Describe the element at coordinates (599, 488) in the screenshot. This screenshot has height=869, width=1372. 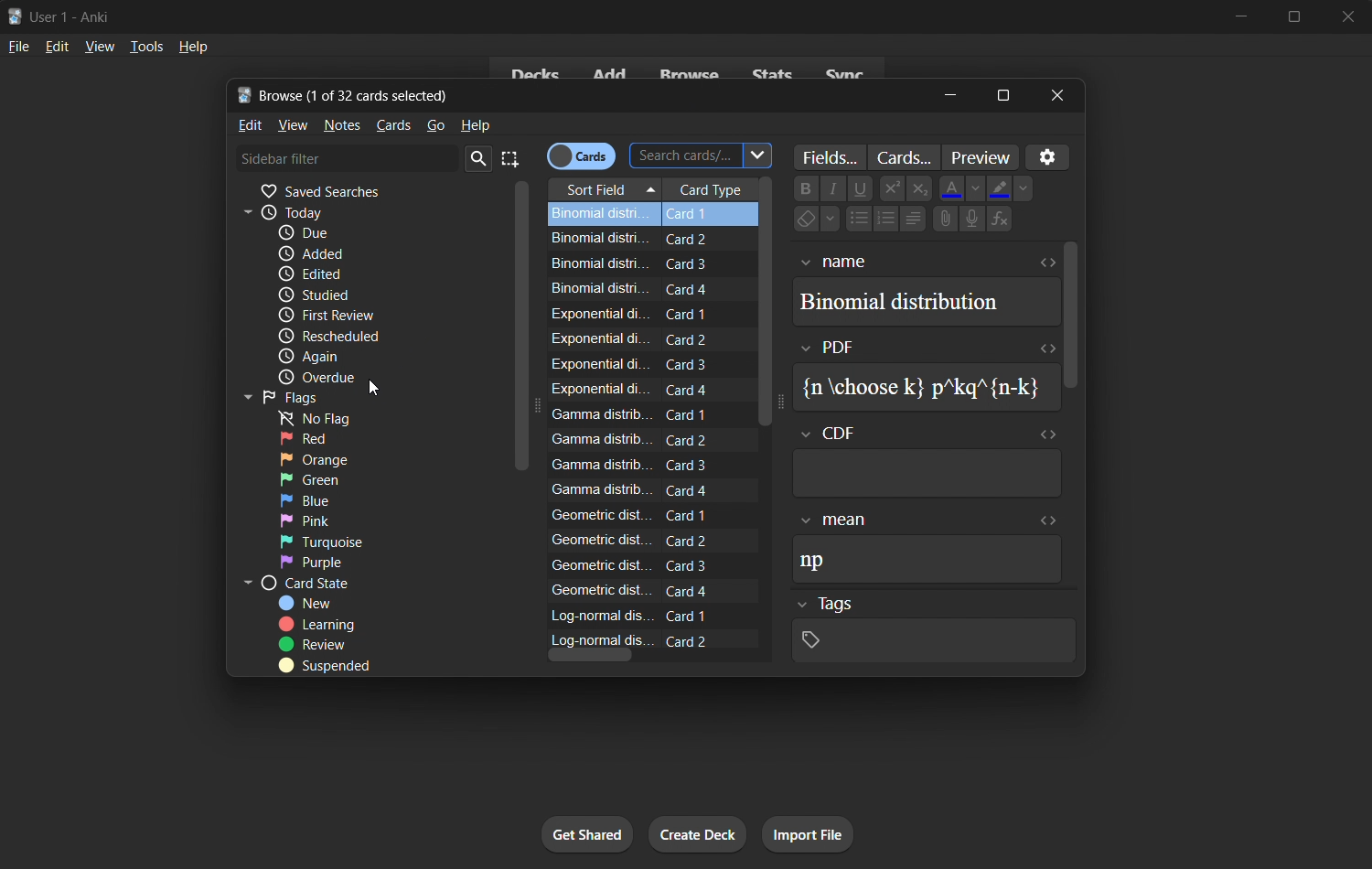
I see `Gamma distrit` at that location.